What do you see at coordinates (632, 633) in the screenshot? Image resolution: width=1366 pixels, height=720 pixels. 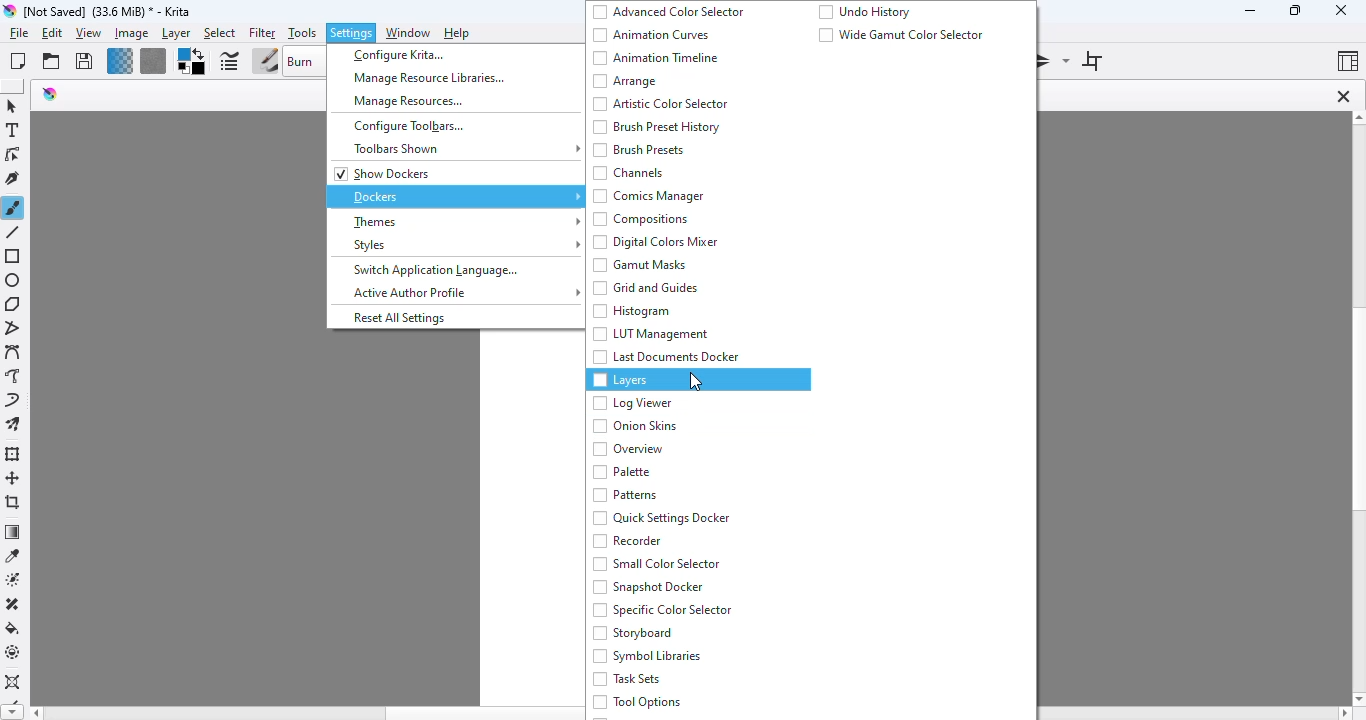 I see `storyboard` at bounding box center [632, 633].